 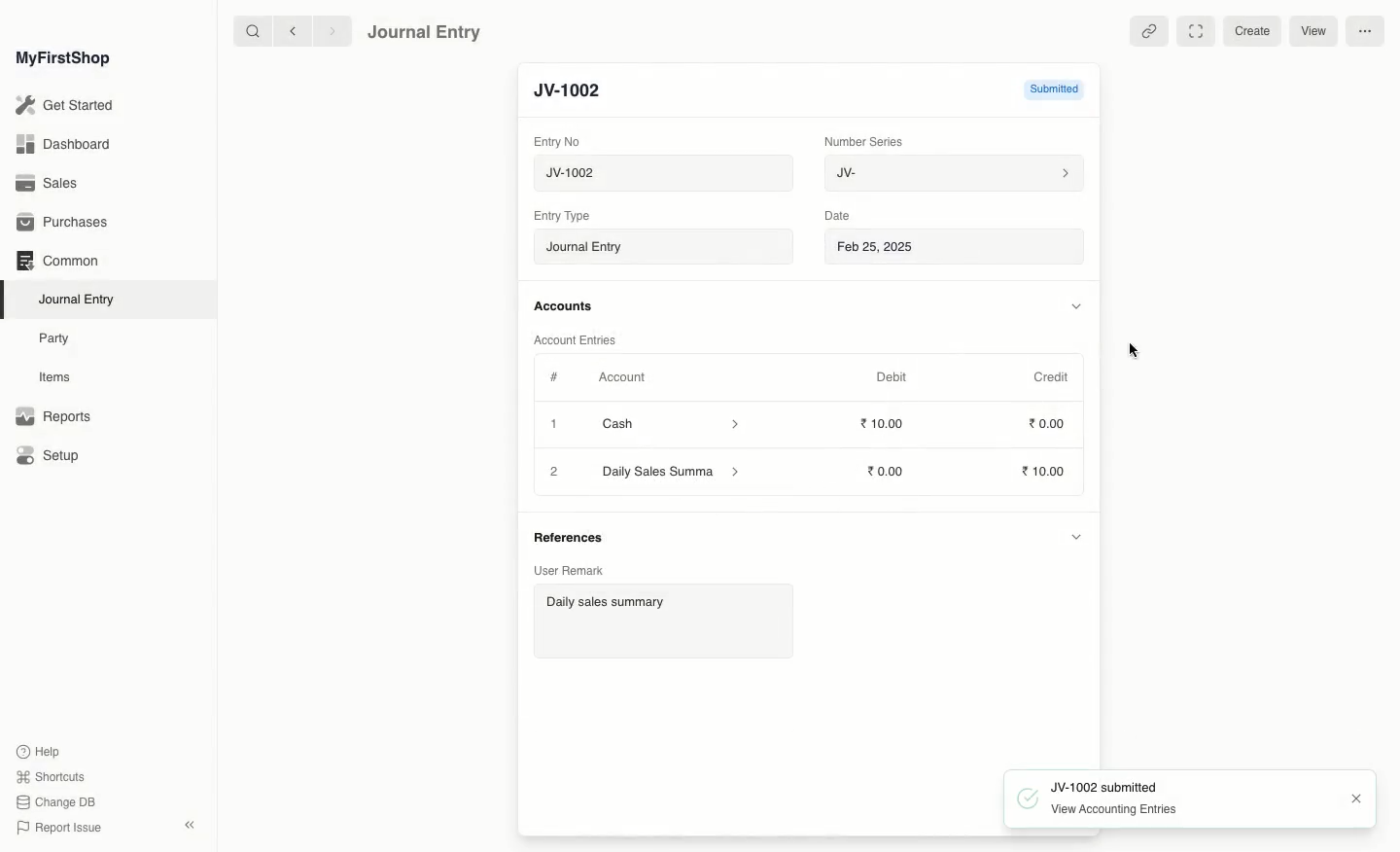 I want to click on Hashtag, so click(x=558, y=378).